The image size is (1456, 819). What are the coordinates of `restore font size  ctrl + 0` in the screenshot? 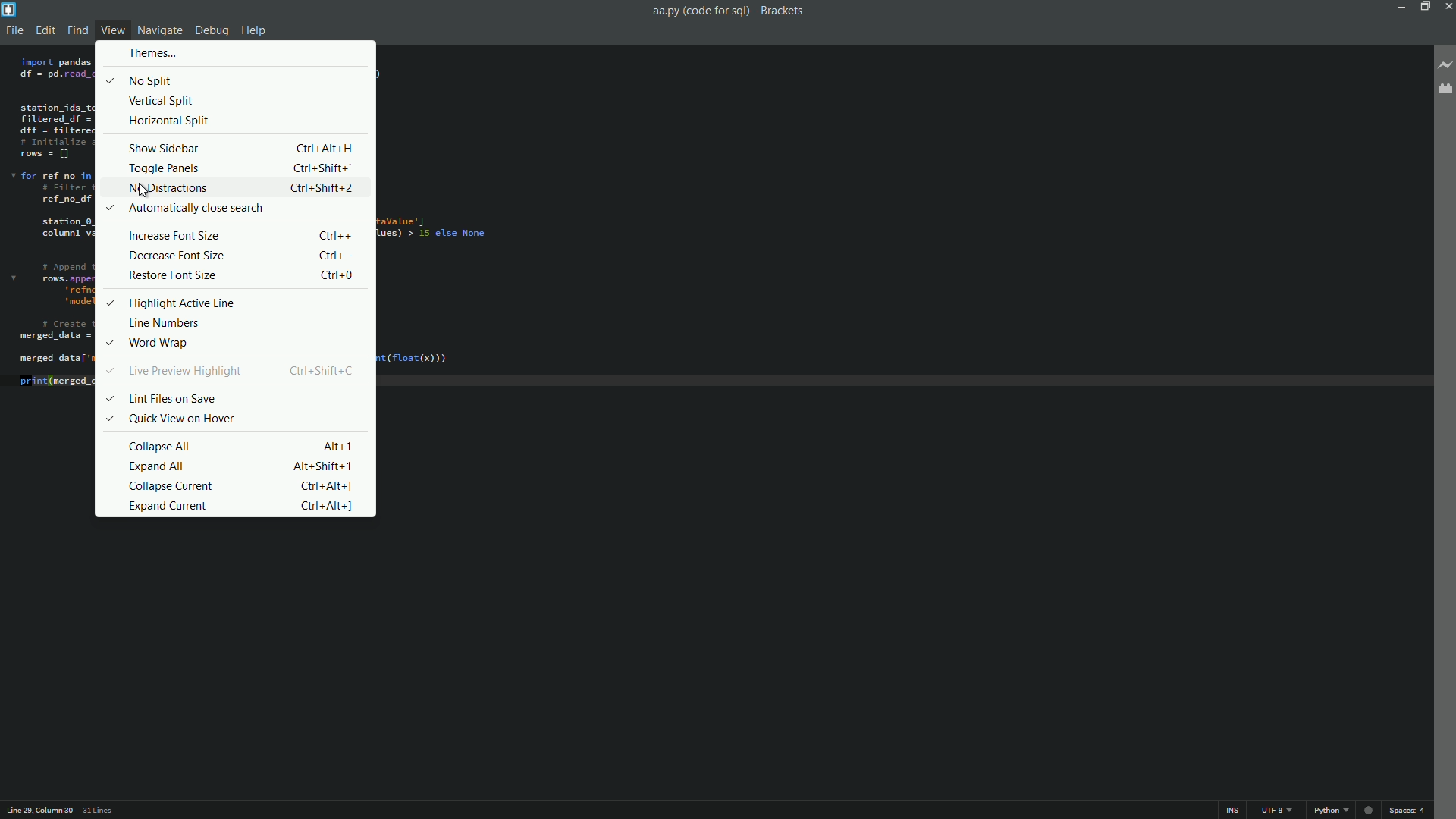 It's located at (243, 275).